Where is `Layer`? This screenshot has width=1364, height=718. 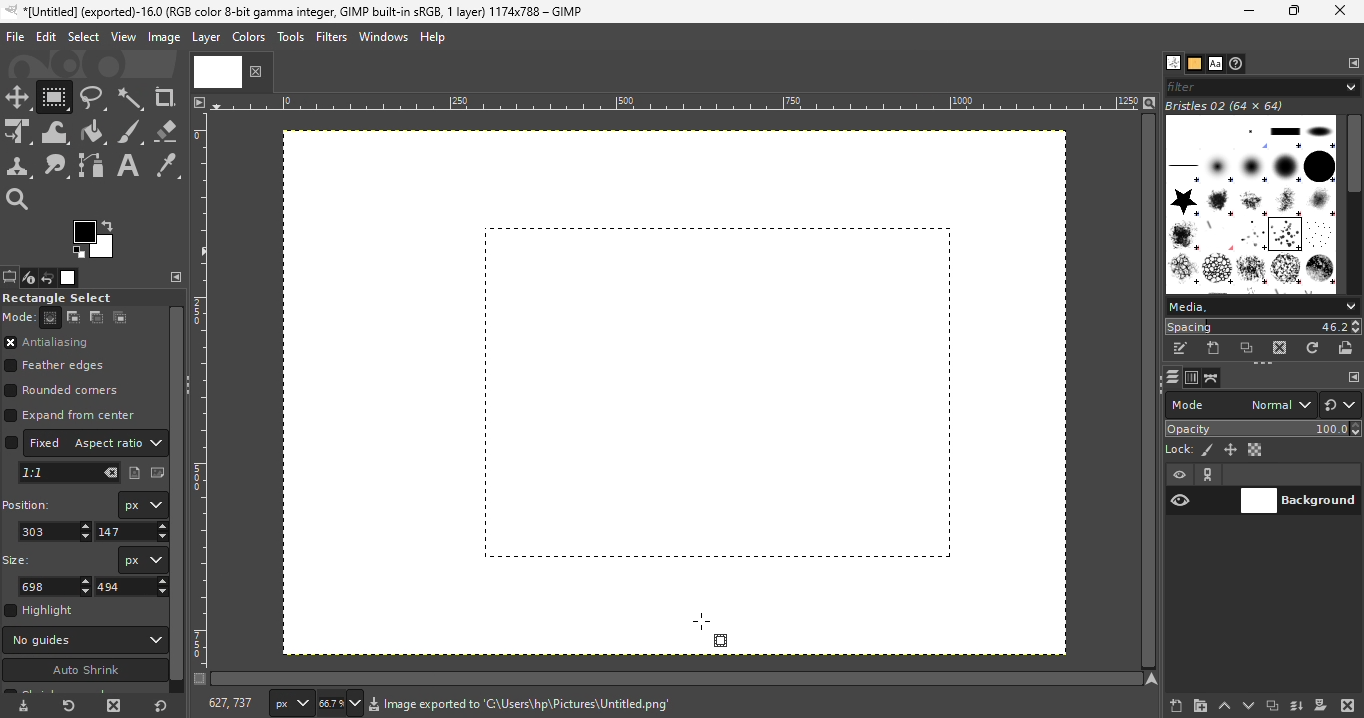 Layer is located at coordinates (204, 38).